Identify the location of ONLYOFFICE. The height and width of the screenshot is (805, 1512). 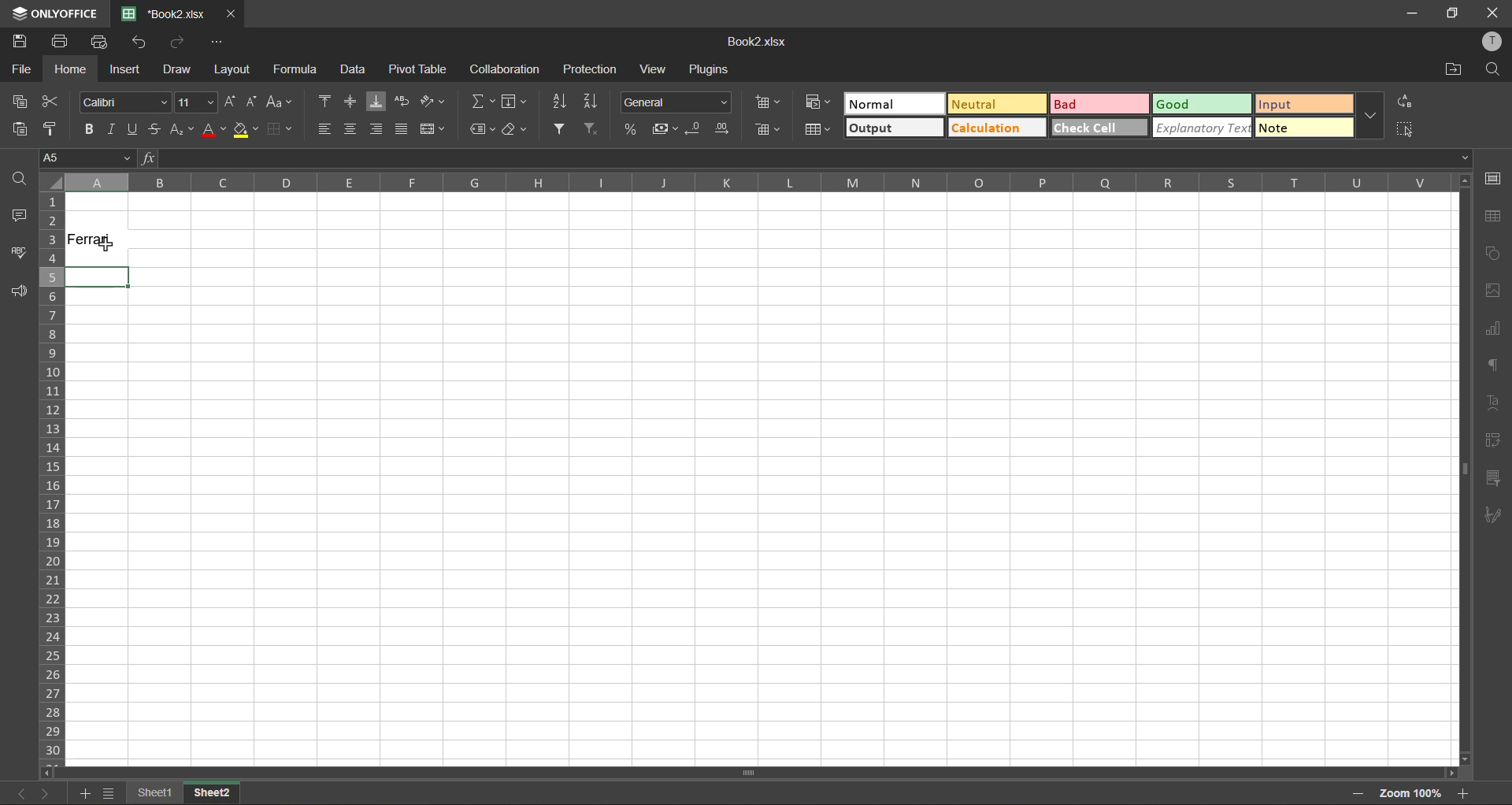
(50, 12).